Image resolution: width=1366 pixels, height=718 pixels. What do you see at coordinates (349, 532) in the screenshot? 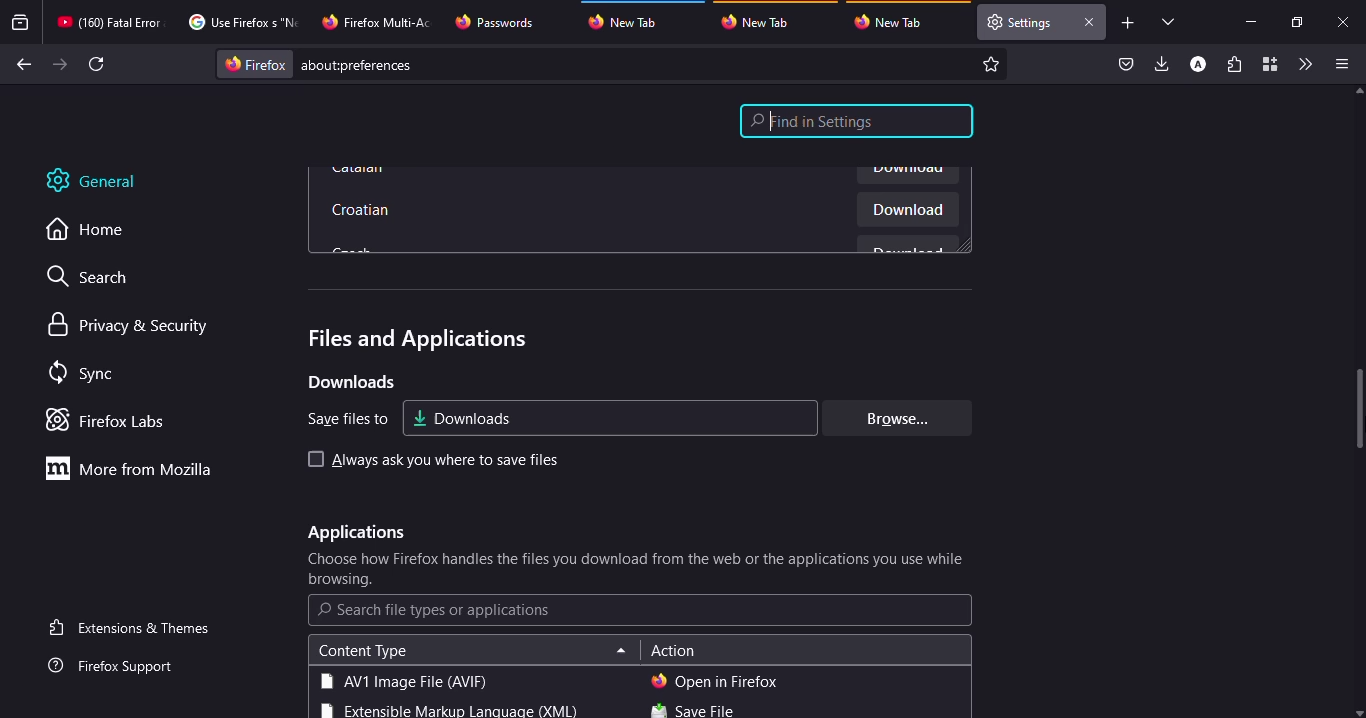
I see `apps` at bounding box center [349, 532].